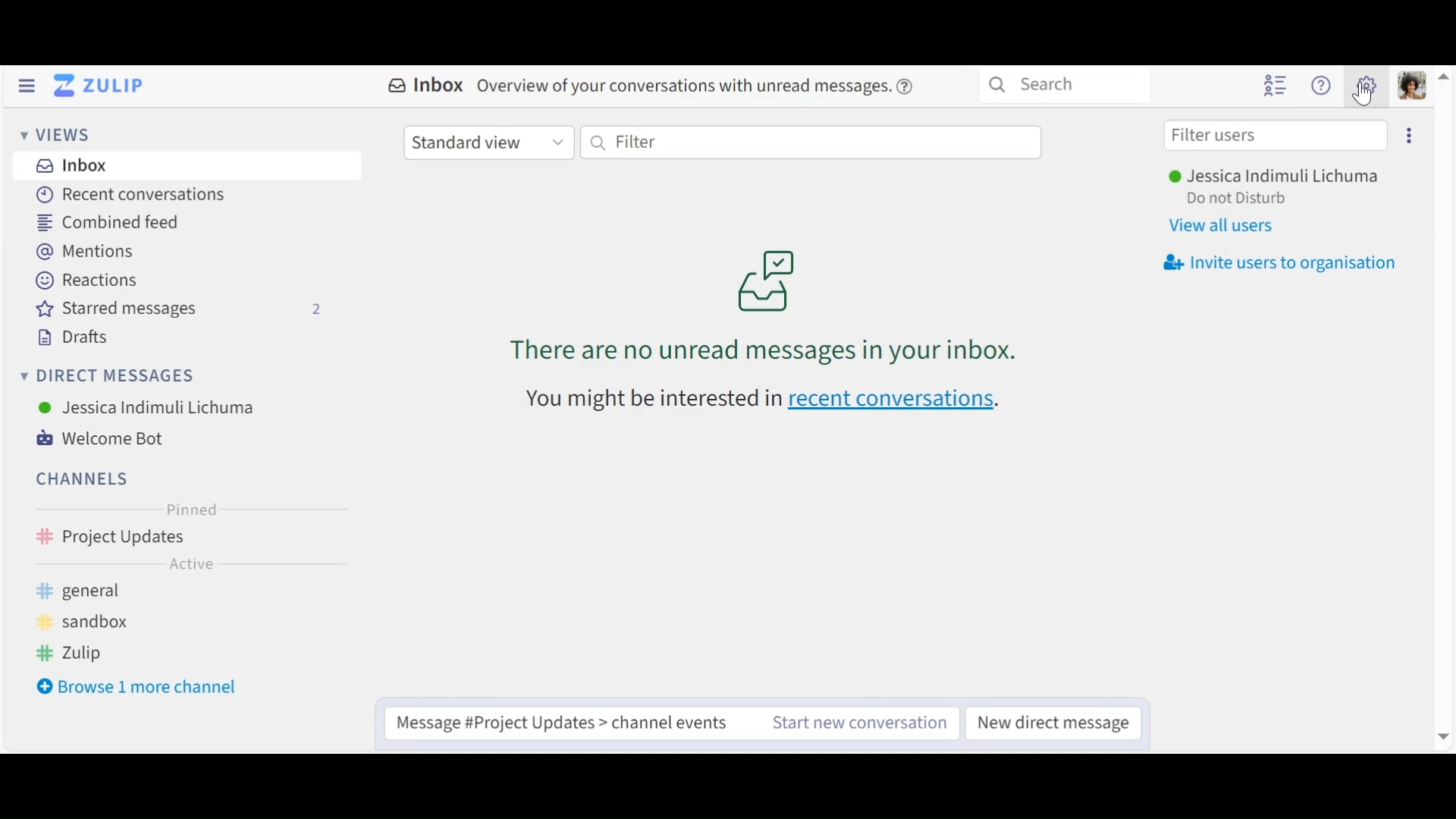  Describe the element at coordinates (1410, 134) in the screenshot. I see `Invite users to organization` at that location.